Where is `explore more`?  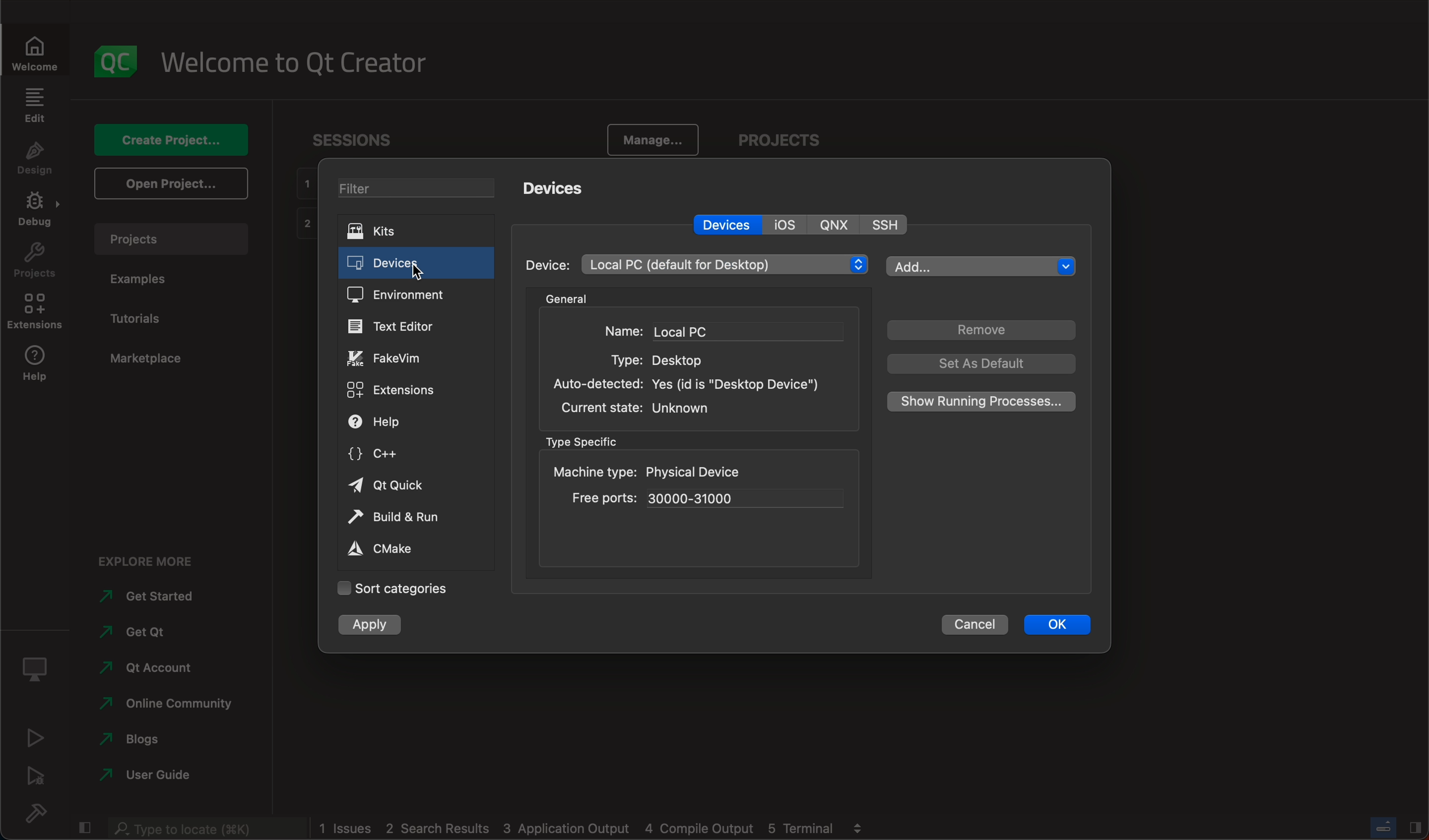
explore more is located at coordinates (146, 562).